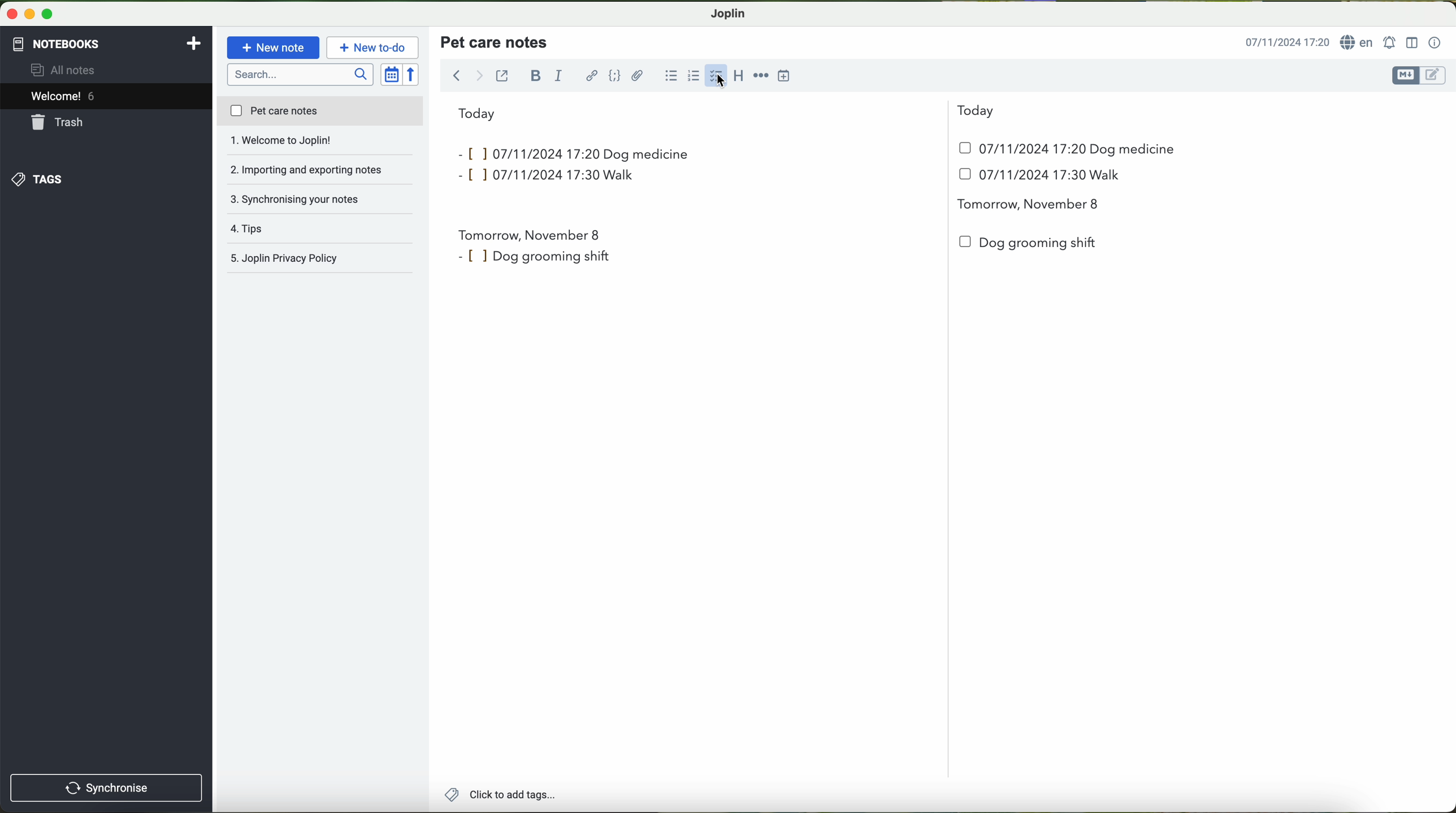 The height and width of the screenshot is (813, 1456). Describe the element at coordinates (691, 70) in the screenshot. I see `numbered list` at that location.